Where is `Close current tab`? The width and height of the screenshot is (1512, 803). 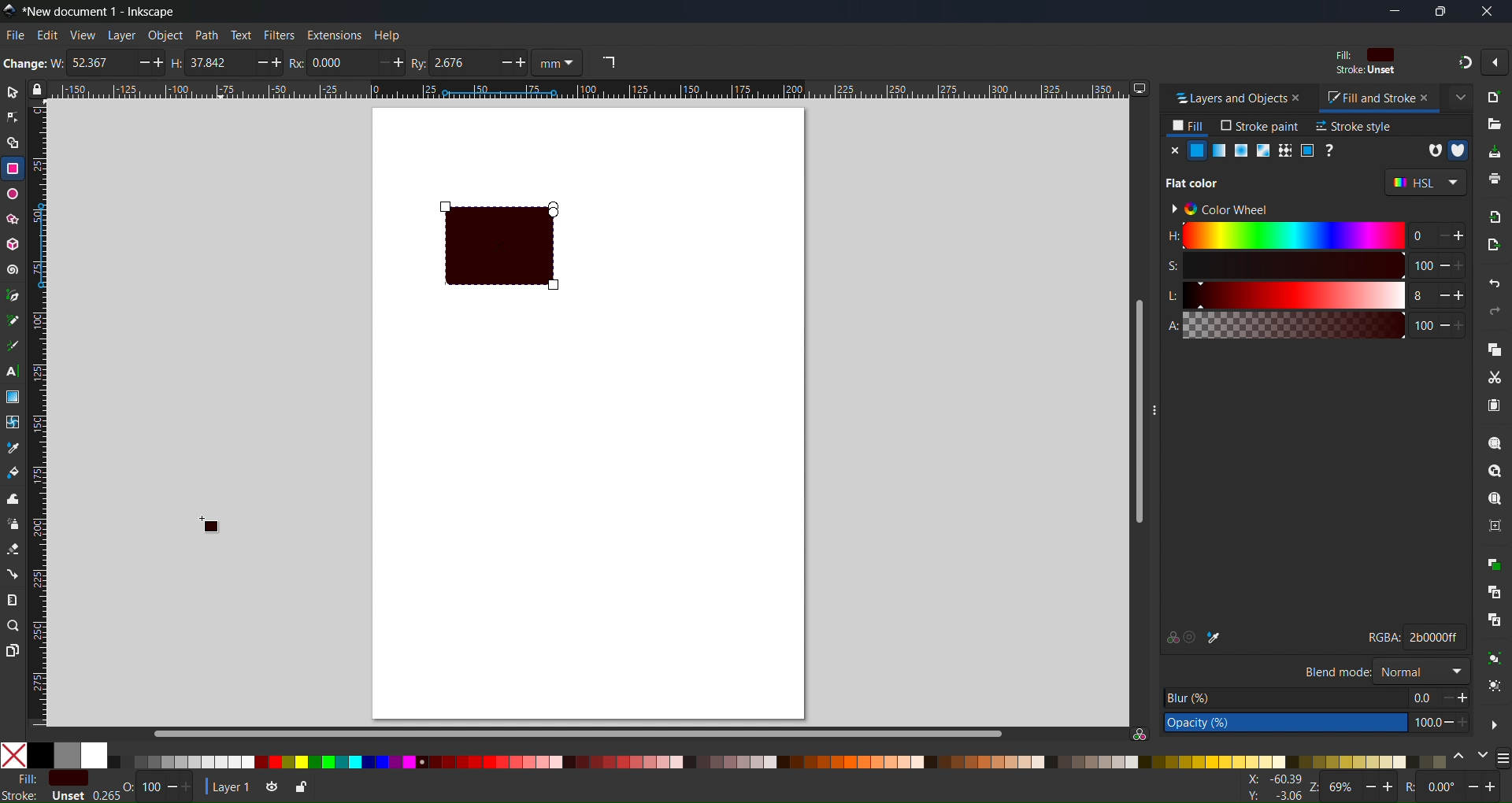
Close current tab is located at coordinates (1459, 95).